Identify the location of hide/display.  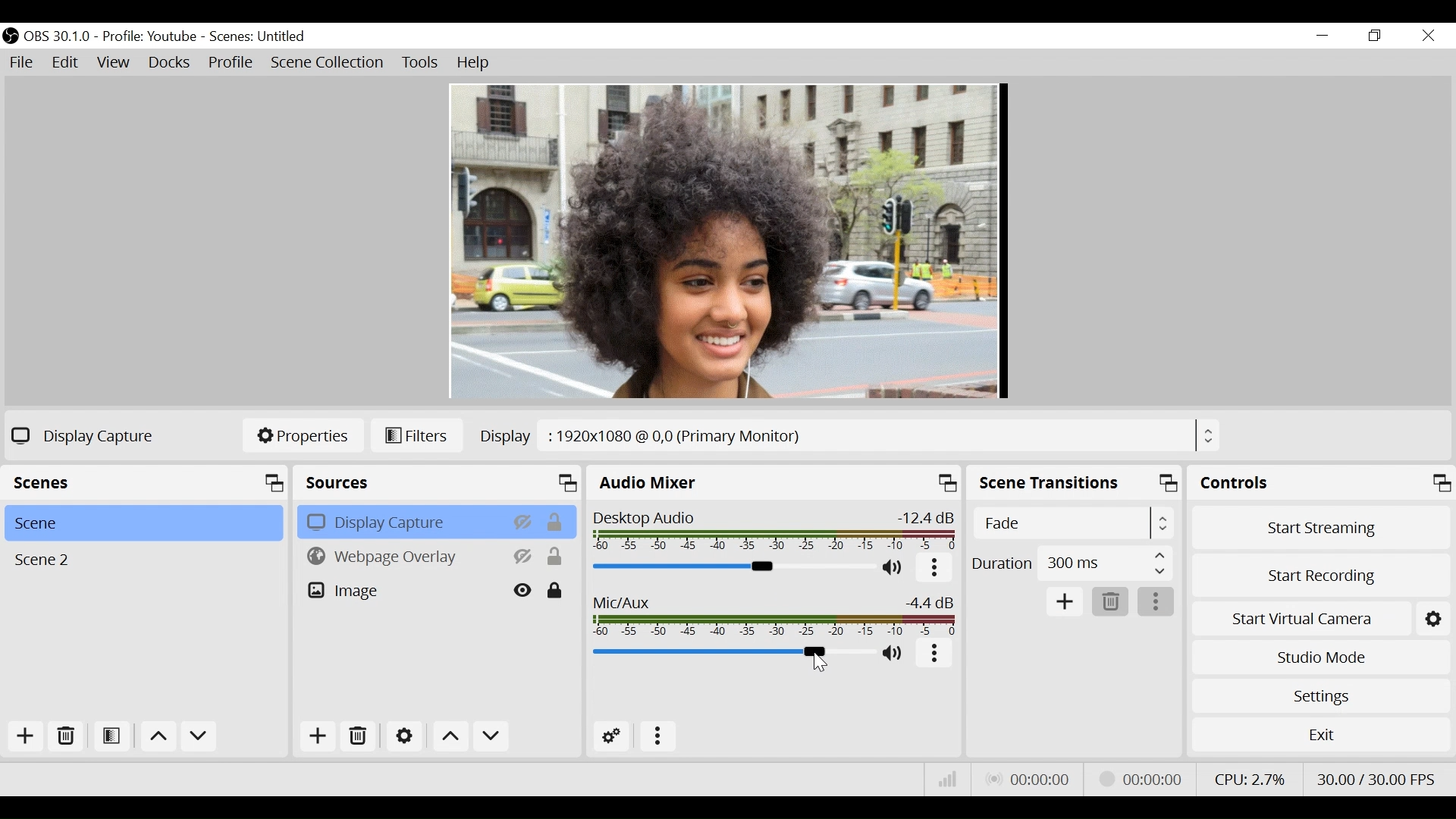
(524, 557).